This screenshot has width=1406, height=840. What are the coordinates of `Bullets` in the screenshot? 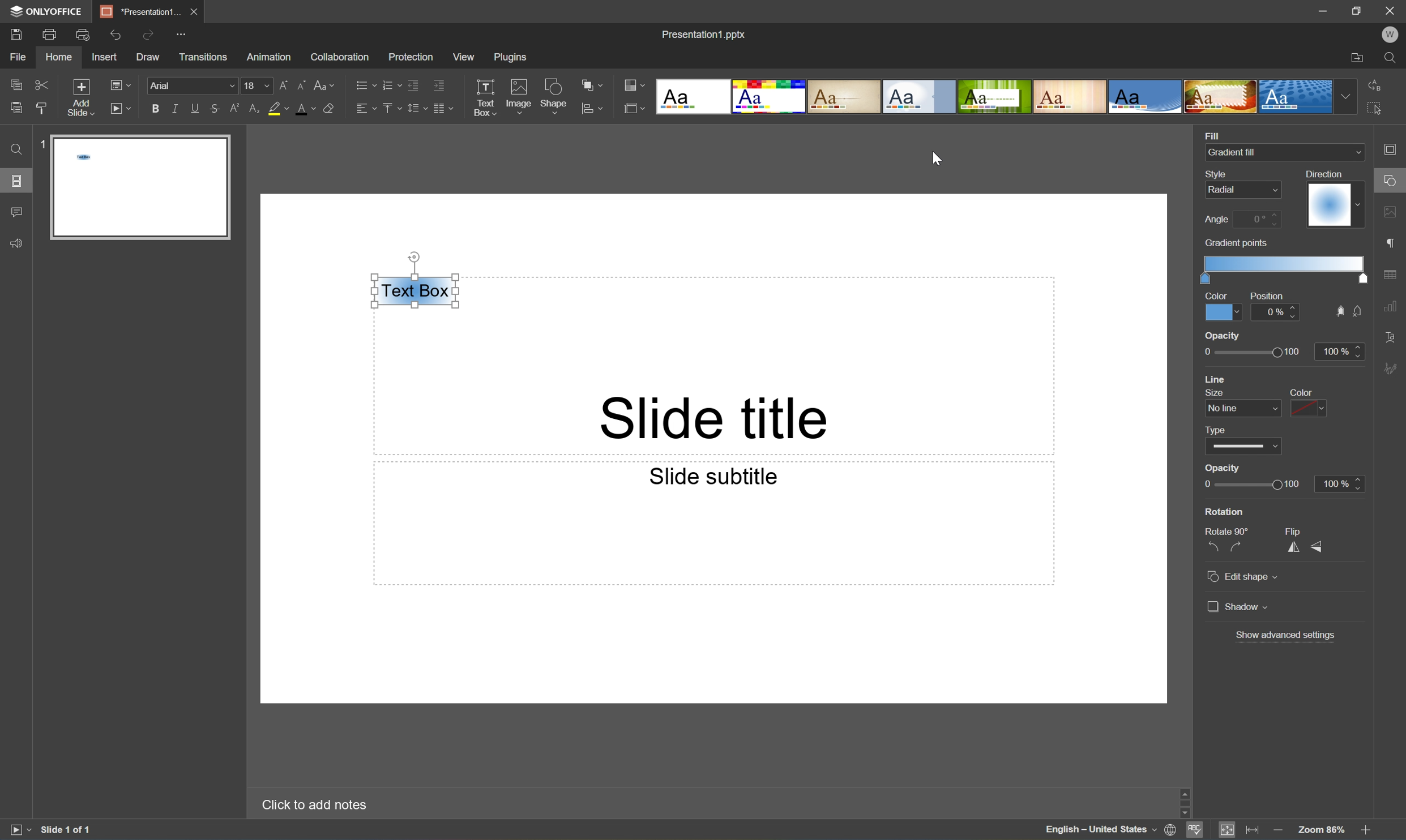 It's located at (360, 85).